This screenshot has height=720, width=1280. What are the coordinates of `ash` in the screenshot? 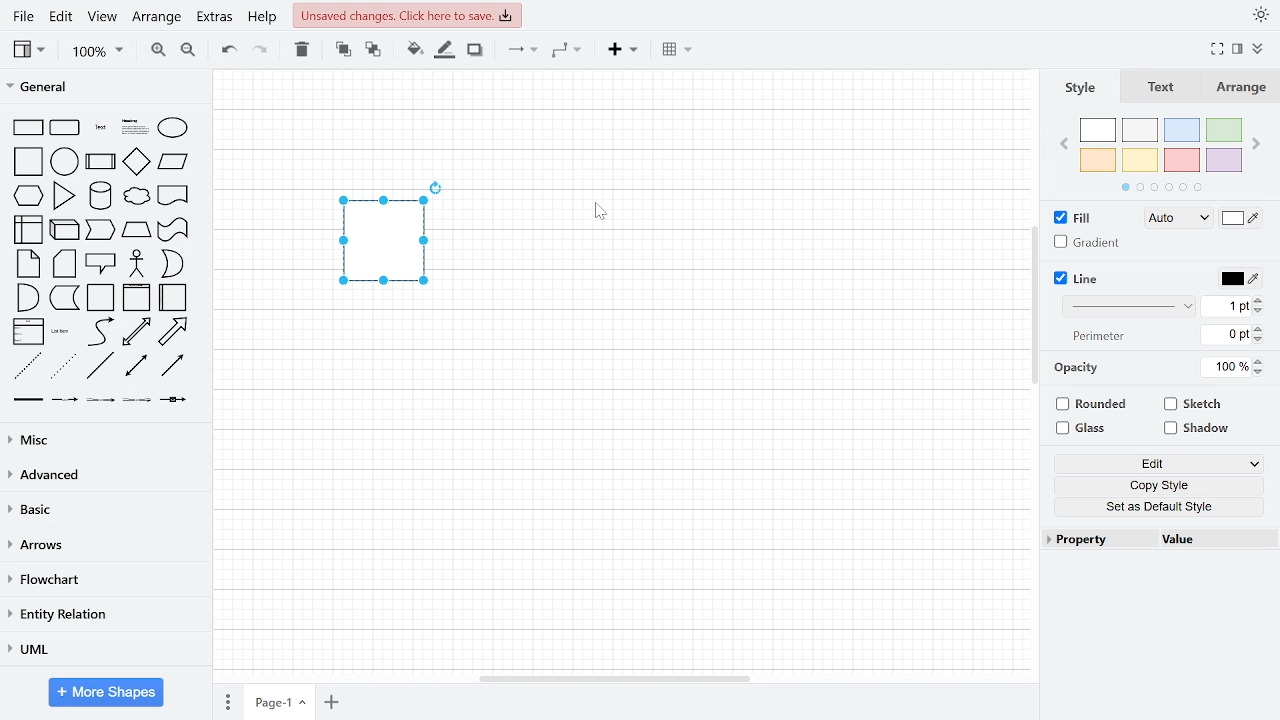 It's located at (1139, 129).